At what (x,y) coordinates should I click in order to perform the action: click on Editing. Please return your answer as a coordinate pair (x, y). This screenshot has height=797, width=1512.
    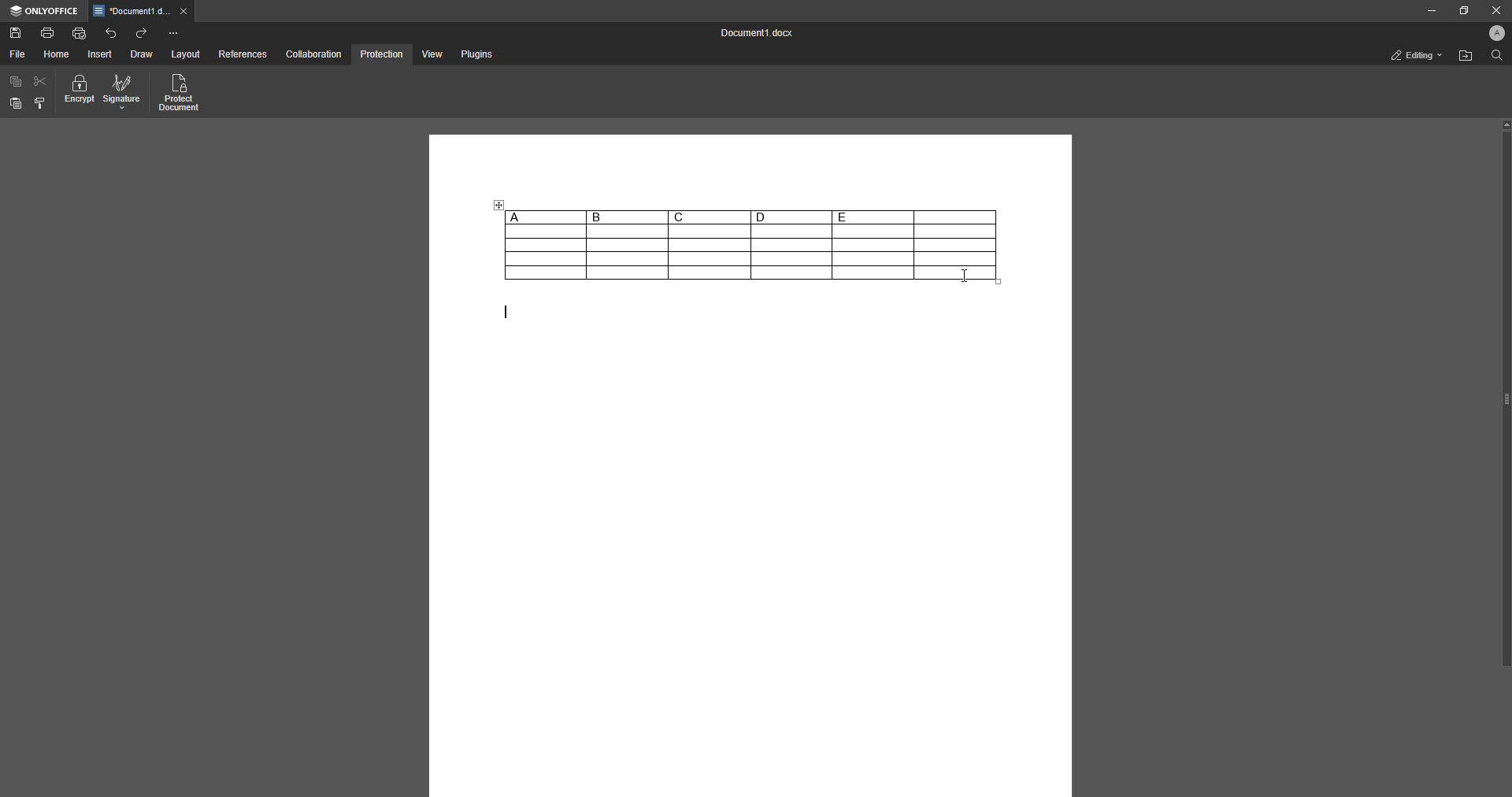
    Looking at the image, I should click on (1412, 55).